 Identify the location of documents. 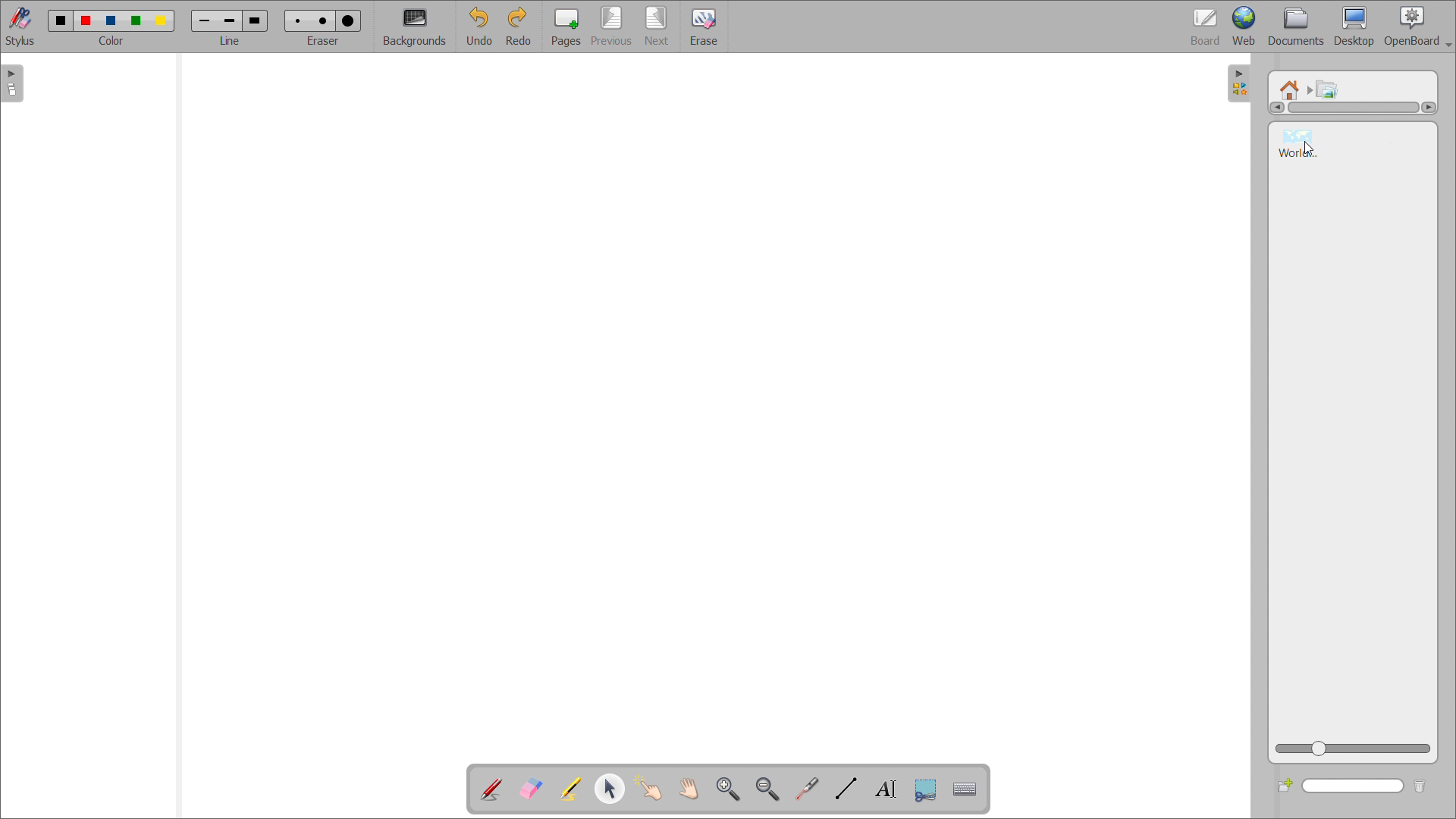
(1296, 27).